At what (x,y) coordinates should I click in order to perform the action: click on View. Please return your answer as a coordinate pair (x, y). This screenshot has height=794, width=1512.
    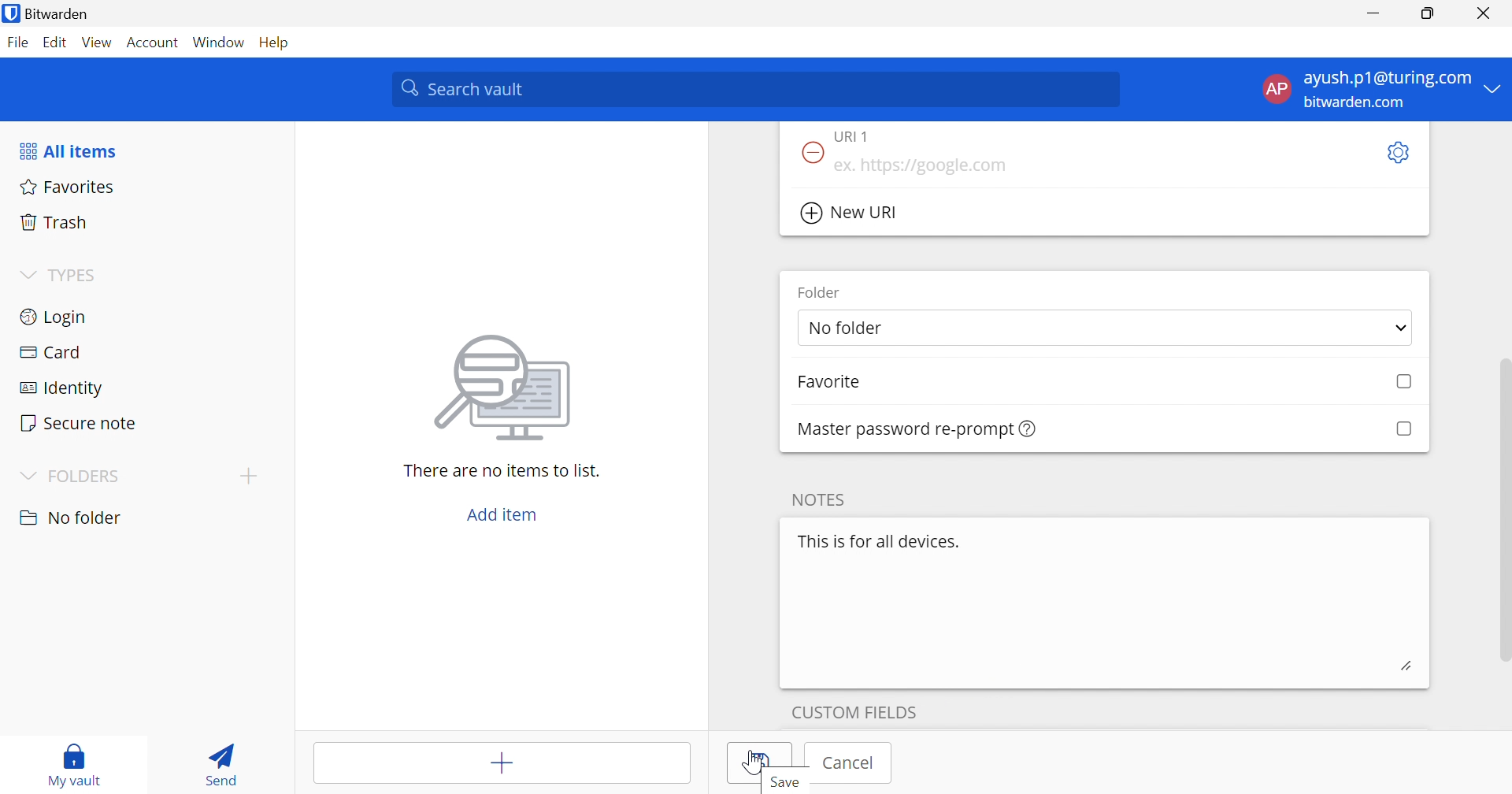
    Looking at the image, I should click on (96, 42).